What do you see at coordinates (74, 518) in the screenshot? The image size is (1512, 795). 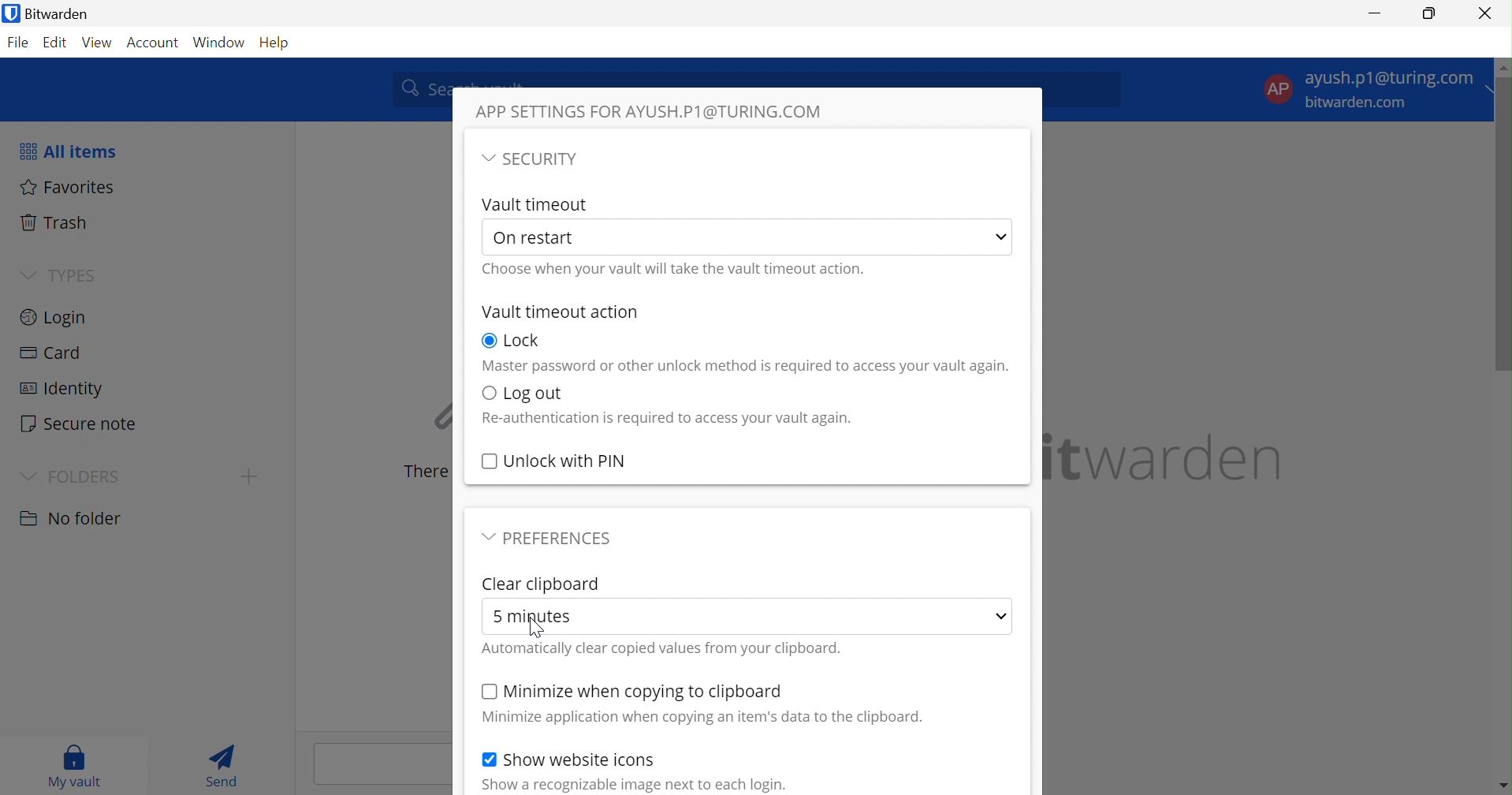 I see `No folder` at bounding box center [74, 518].